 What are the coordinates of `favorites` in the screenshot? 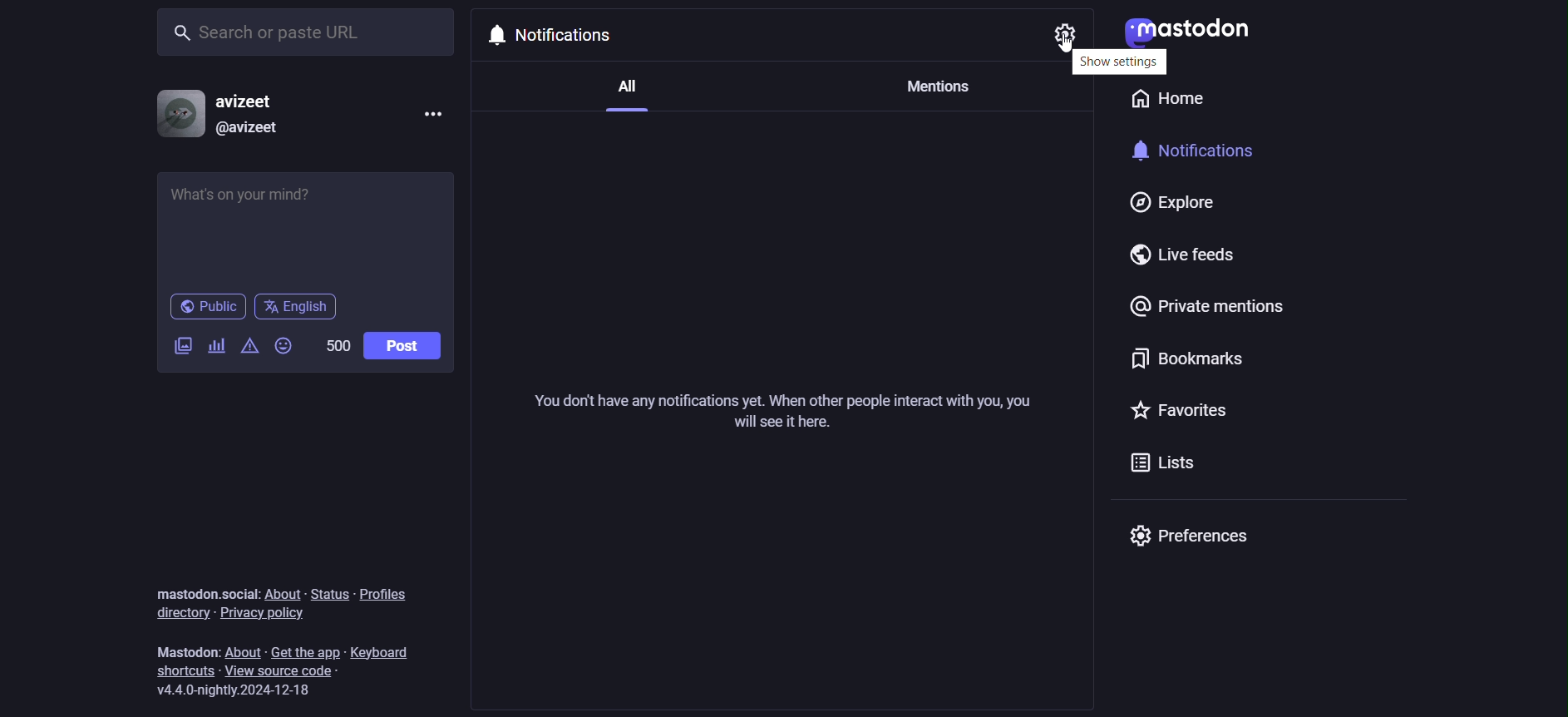 It's located at (1181, 414).